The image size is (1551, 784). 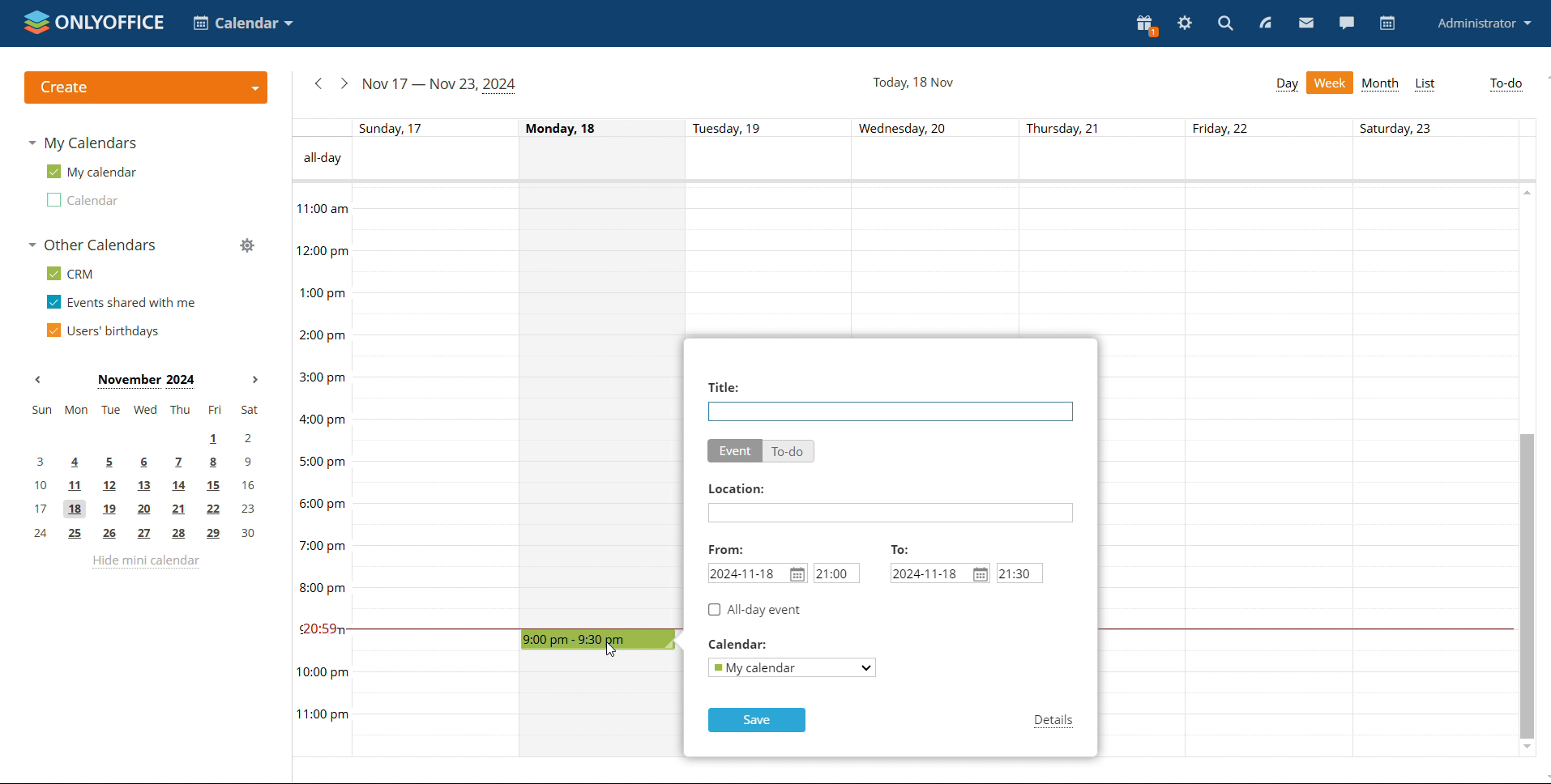 I want to click on select calendar, so click(x=794, y=668).